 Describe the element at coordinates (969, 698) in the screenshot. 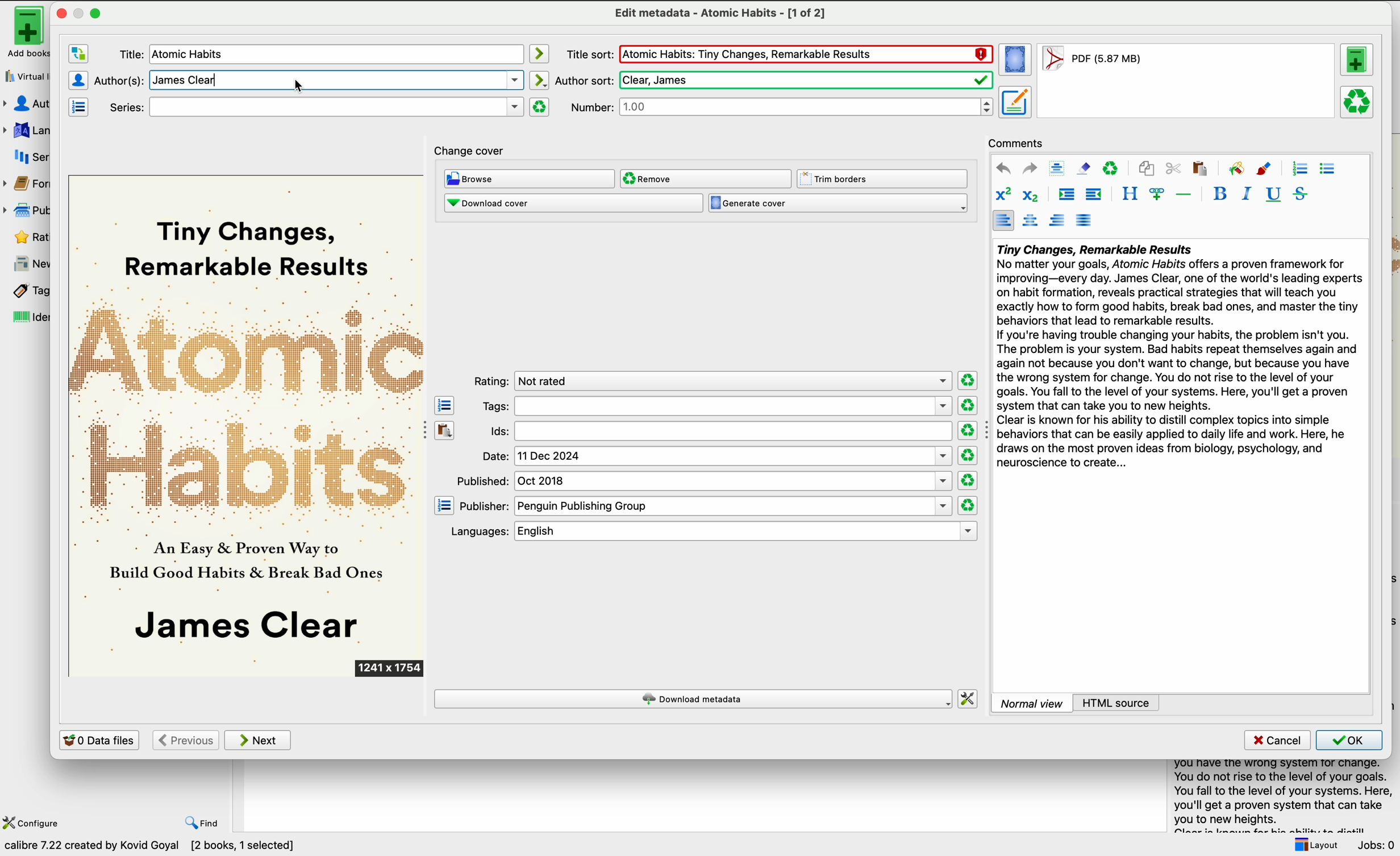

I see `change how calibre downloads metadata` at that location.